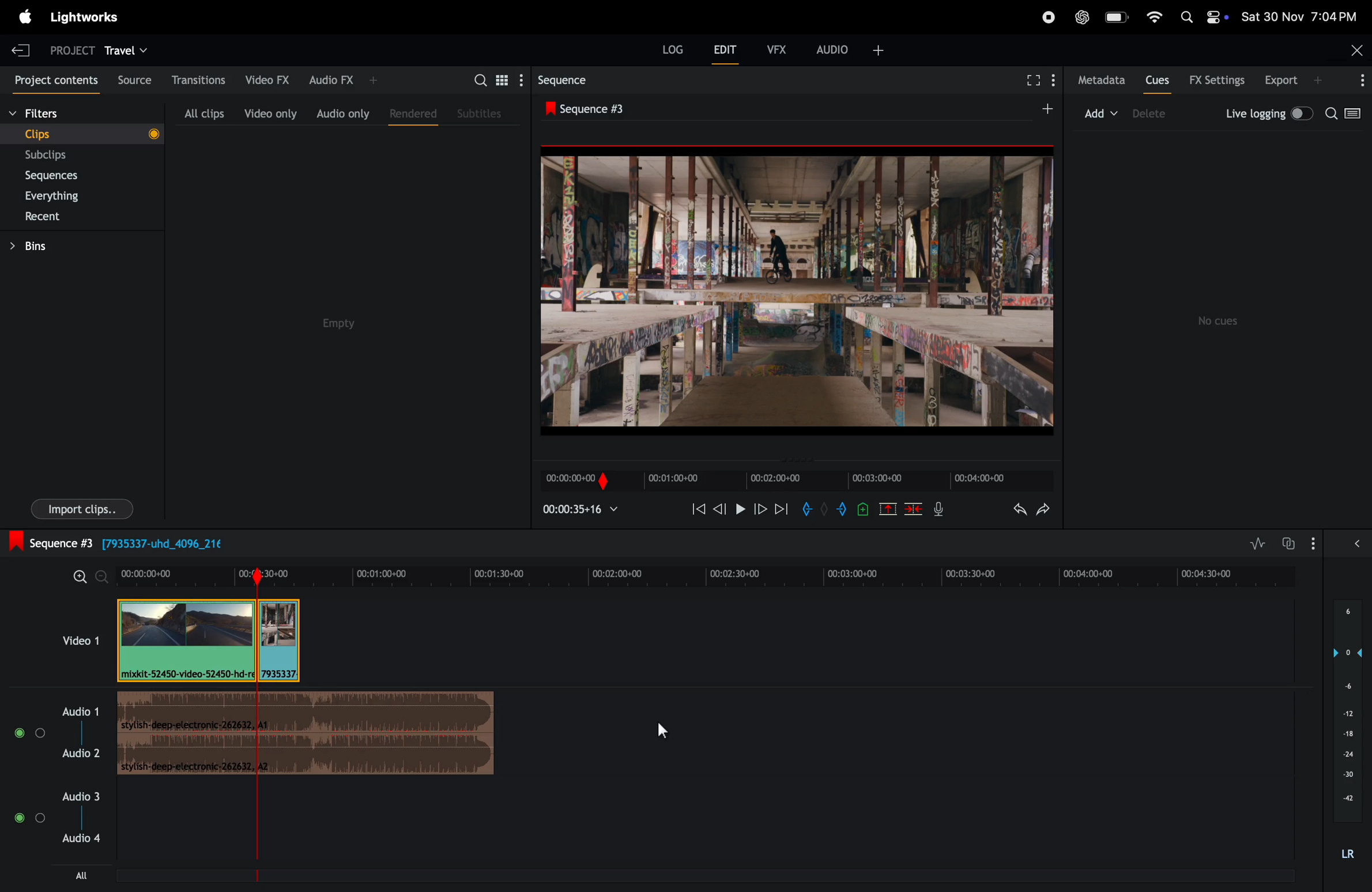  What do you see at coordinates (782, 509) in the screenshot?
I see `next frame` at bounding box center [782, 509].